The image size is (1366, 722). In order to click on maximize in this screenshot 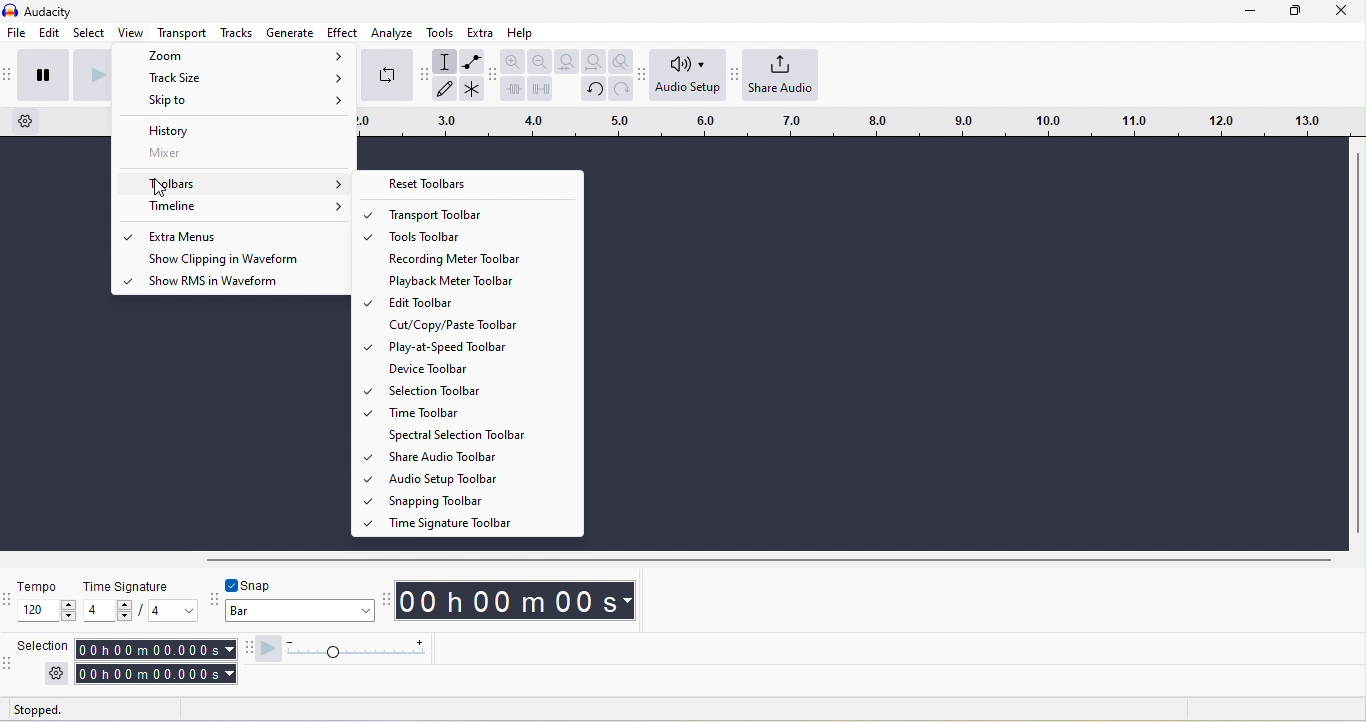, I will do `click(1295, 11)`.